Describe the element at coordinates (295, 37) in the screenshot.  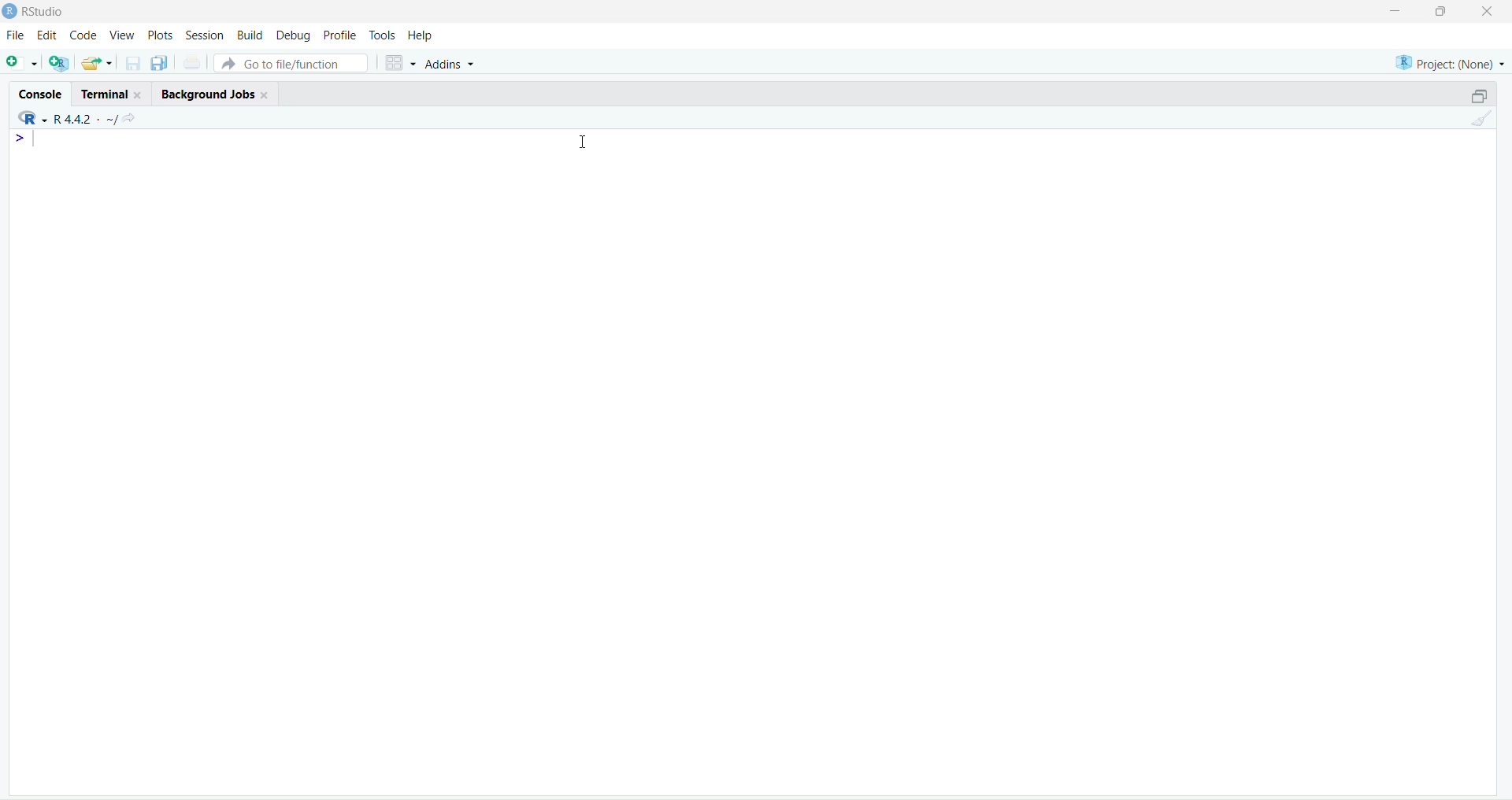
I see `Debug` at that location.